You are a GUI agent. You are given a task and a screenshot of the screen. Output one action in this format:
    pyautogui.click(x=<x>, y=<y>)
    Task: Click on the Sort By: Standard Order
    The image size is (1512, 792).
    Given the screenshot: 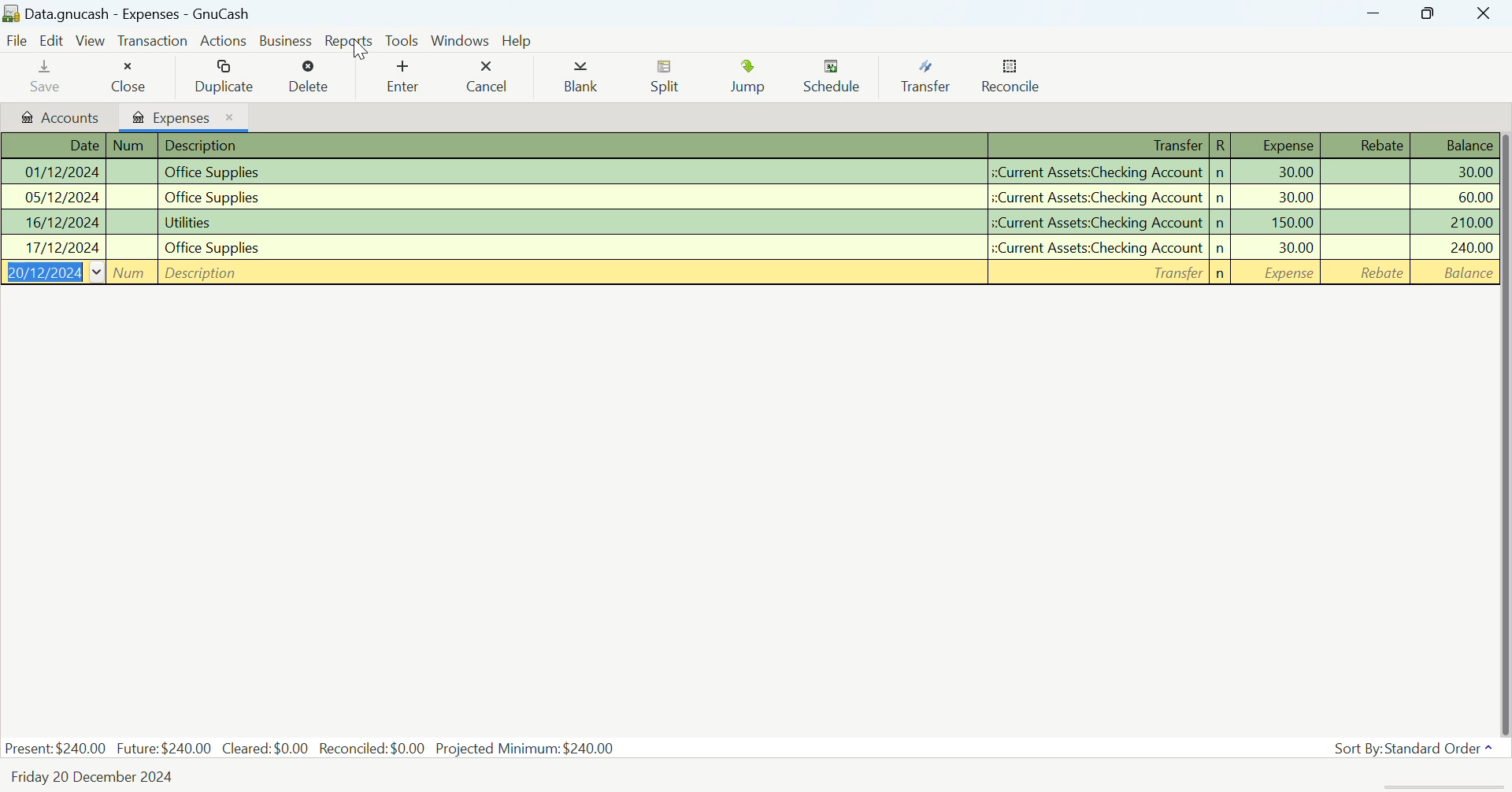 What is the action you would take?
    pyautogui.click(x=1405, y=749)
    